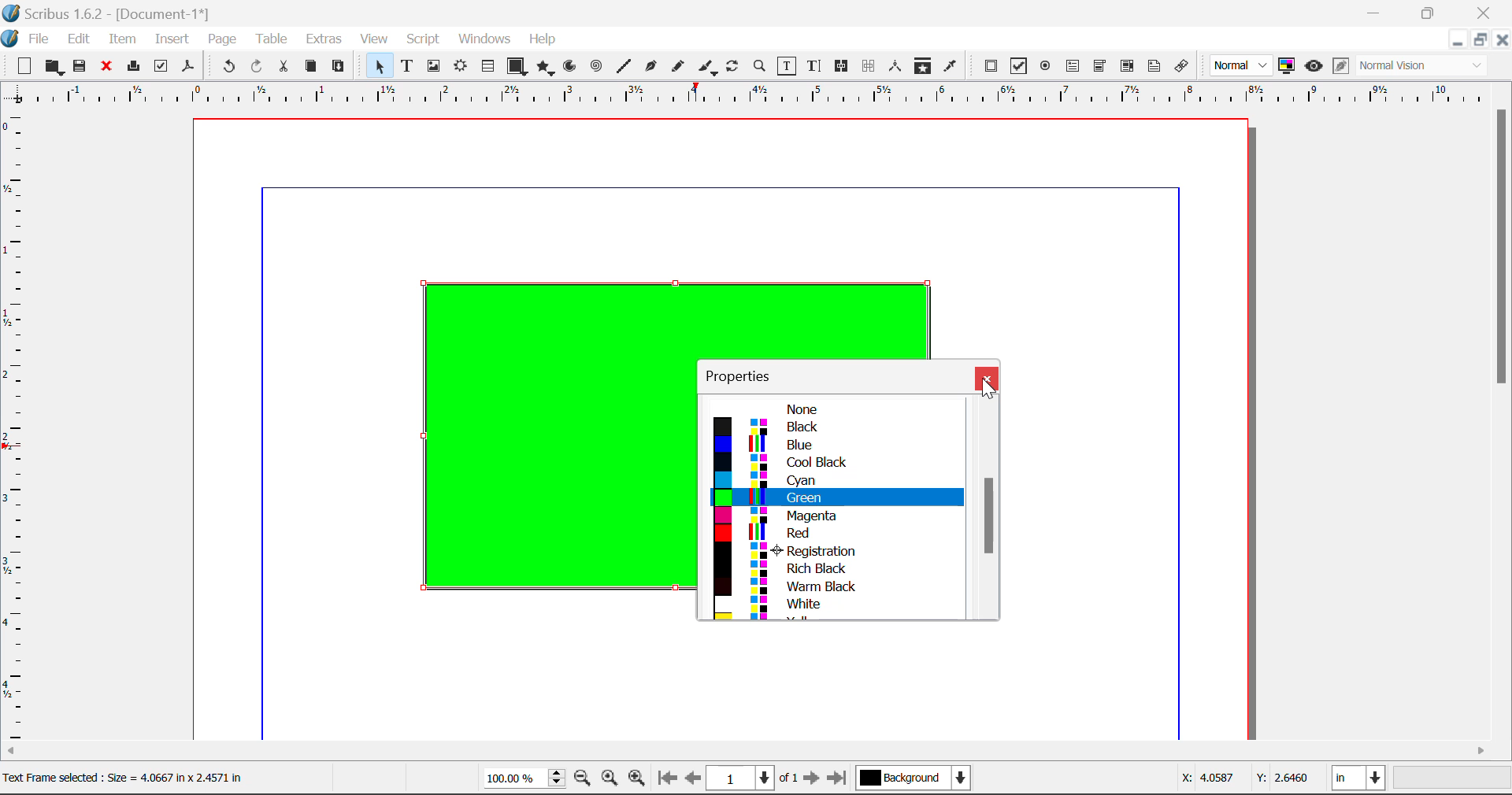 The height and width of the screenshot is (795, 1512). I want to click on Open, so click(54, 67).